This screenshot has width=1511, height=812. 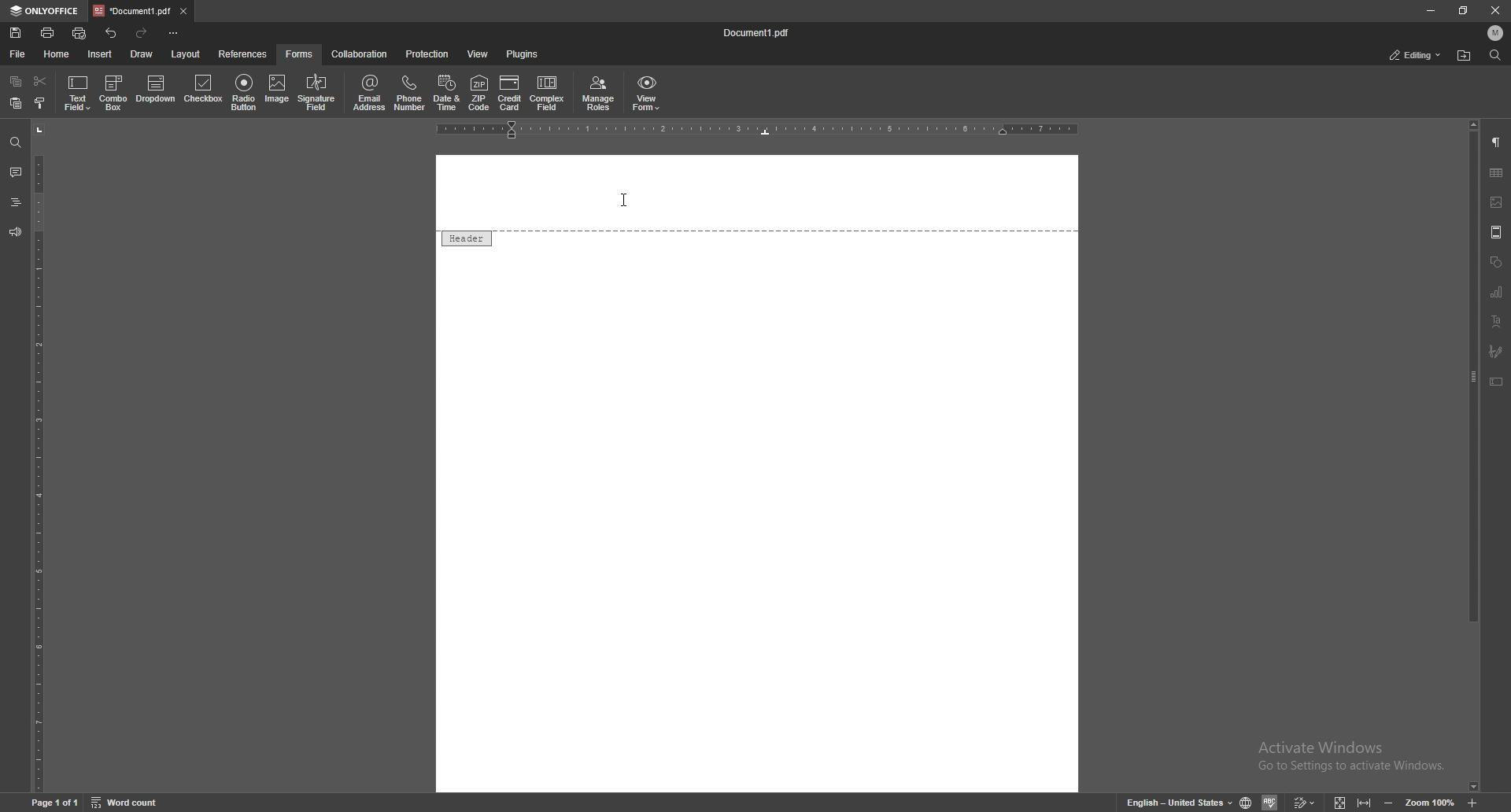 I want to click on resize, so click(x=1463, y=9).